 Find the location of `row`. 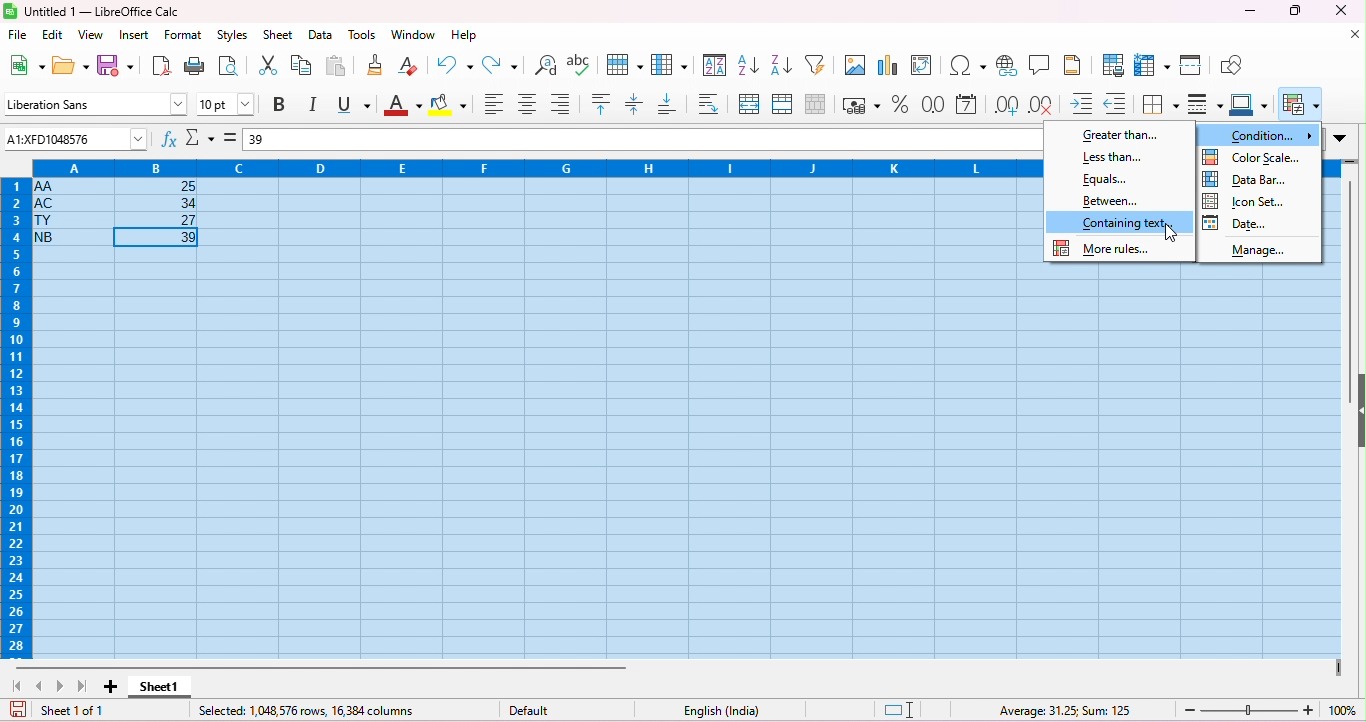

row is located at coordinates (624, 64).